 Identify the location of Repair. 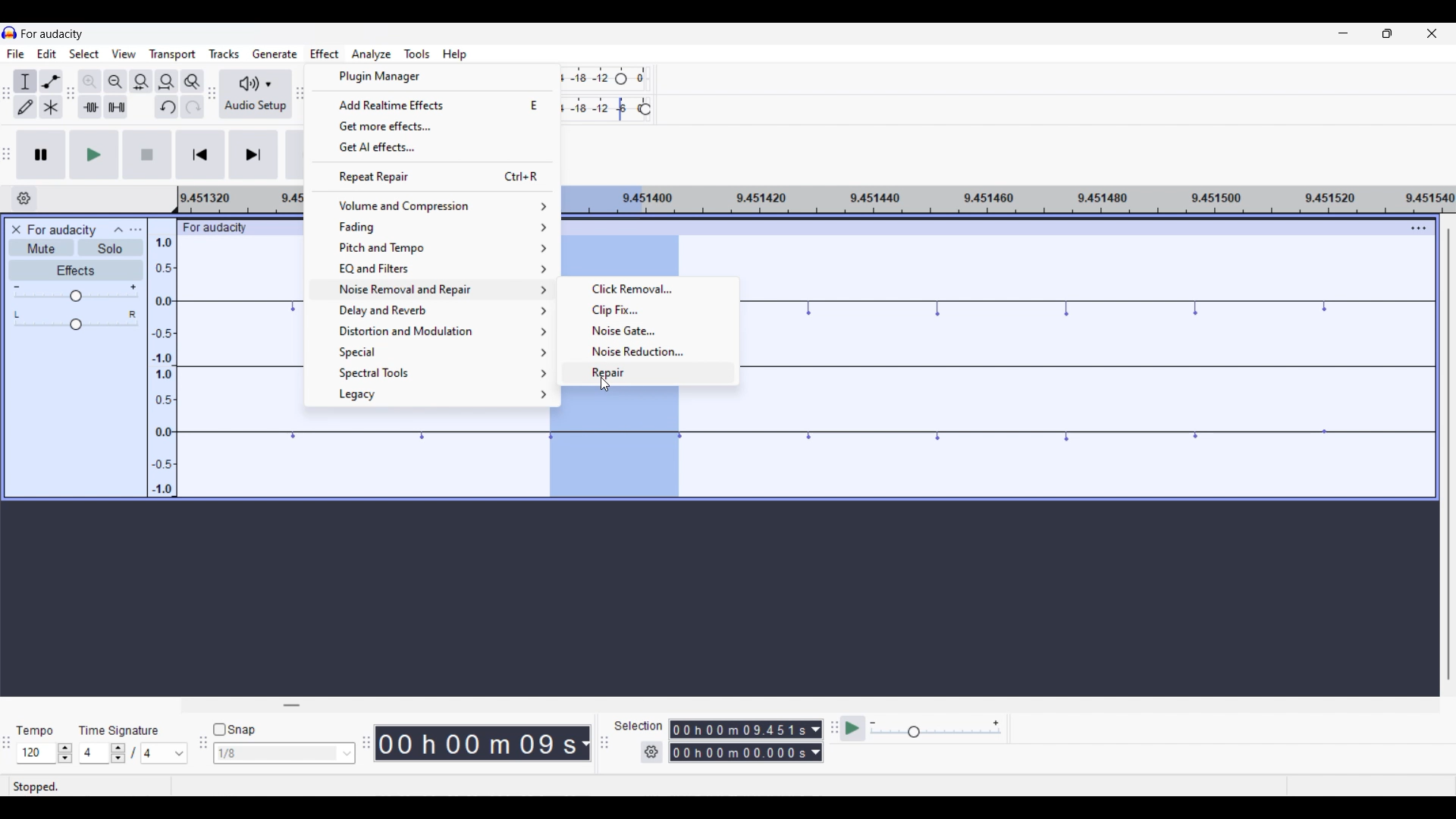
(648, 372).